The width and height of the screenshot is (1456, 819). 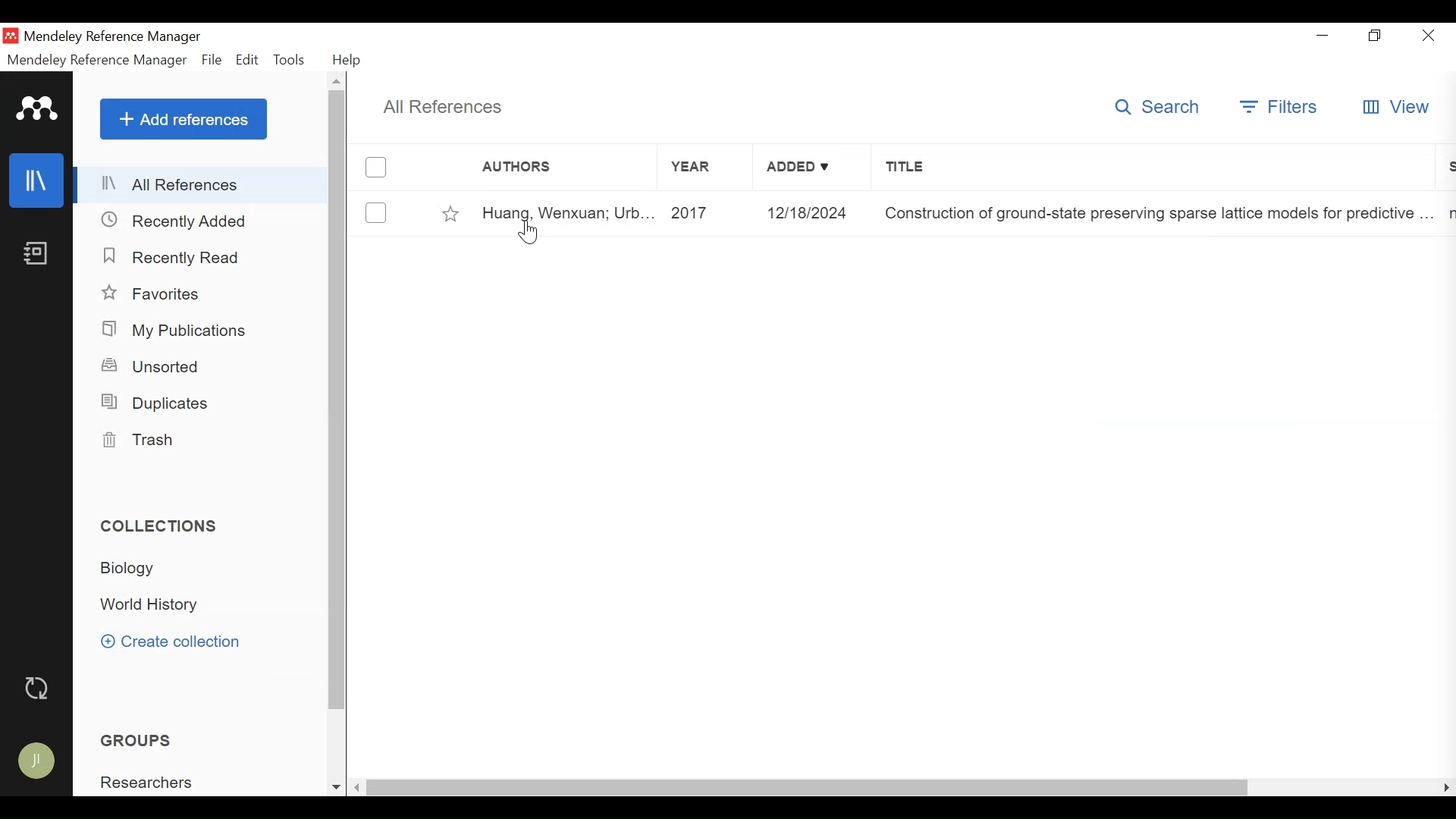 What do you see at coordinates (348, 61) in the screenshot?
I see `Help` at bounding box center [348, 61].